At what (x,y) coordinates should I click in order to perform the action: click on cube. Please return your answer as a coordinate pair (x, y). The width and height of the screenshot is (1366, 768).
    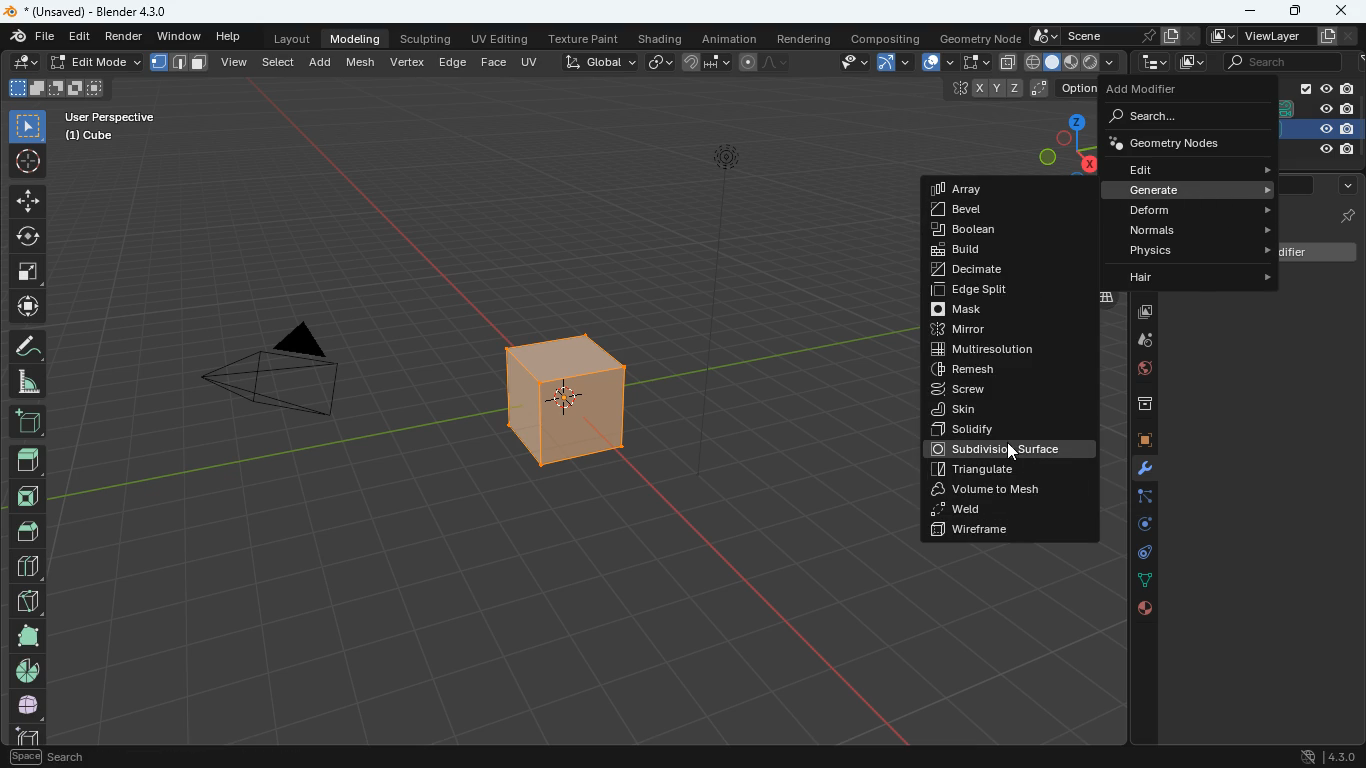
    Looking at the image, I should click on (23, 735).